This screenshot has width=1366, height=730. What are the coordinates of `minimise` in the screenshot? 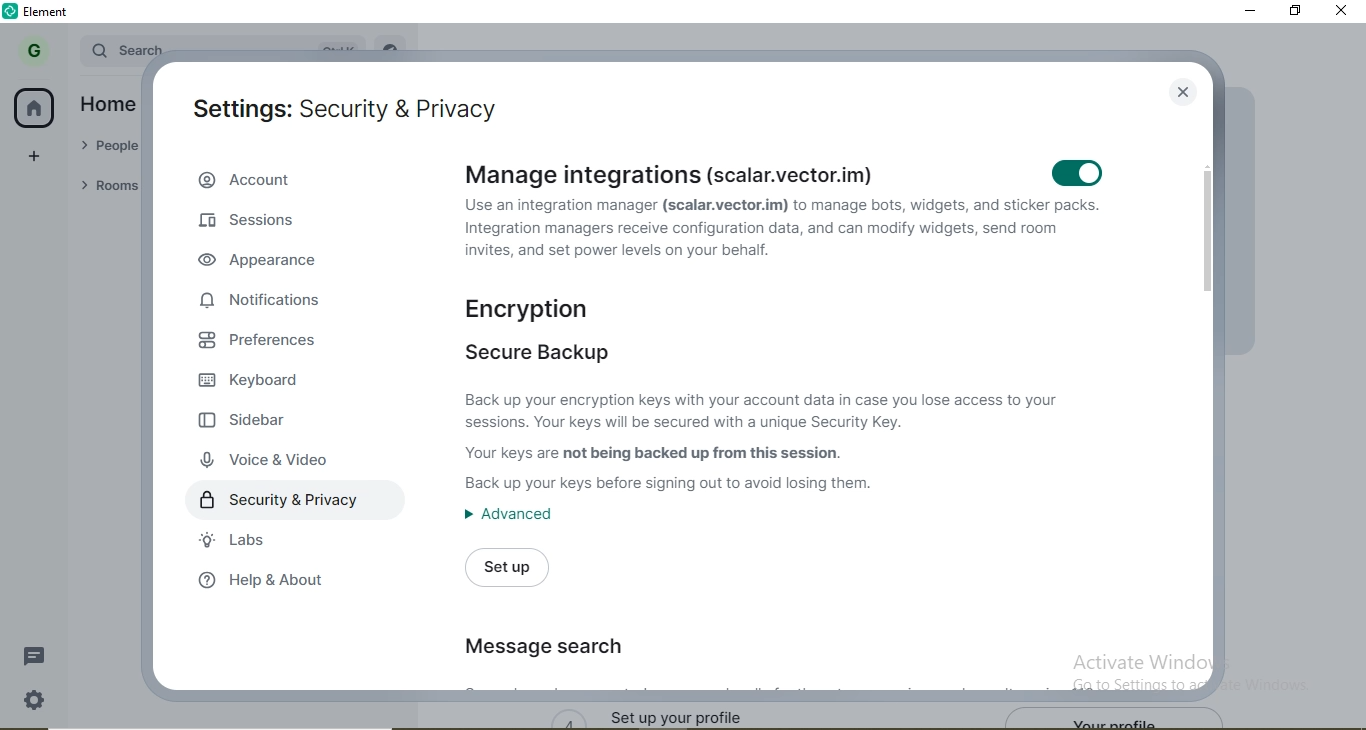 It's located at (1249, 10).